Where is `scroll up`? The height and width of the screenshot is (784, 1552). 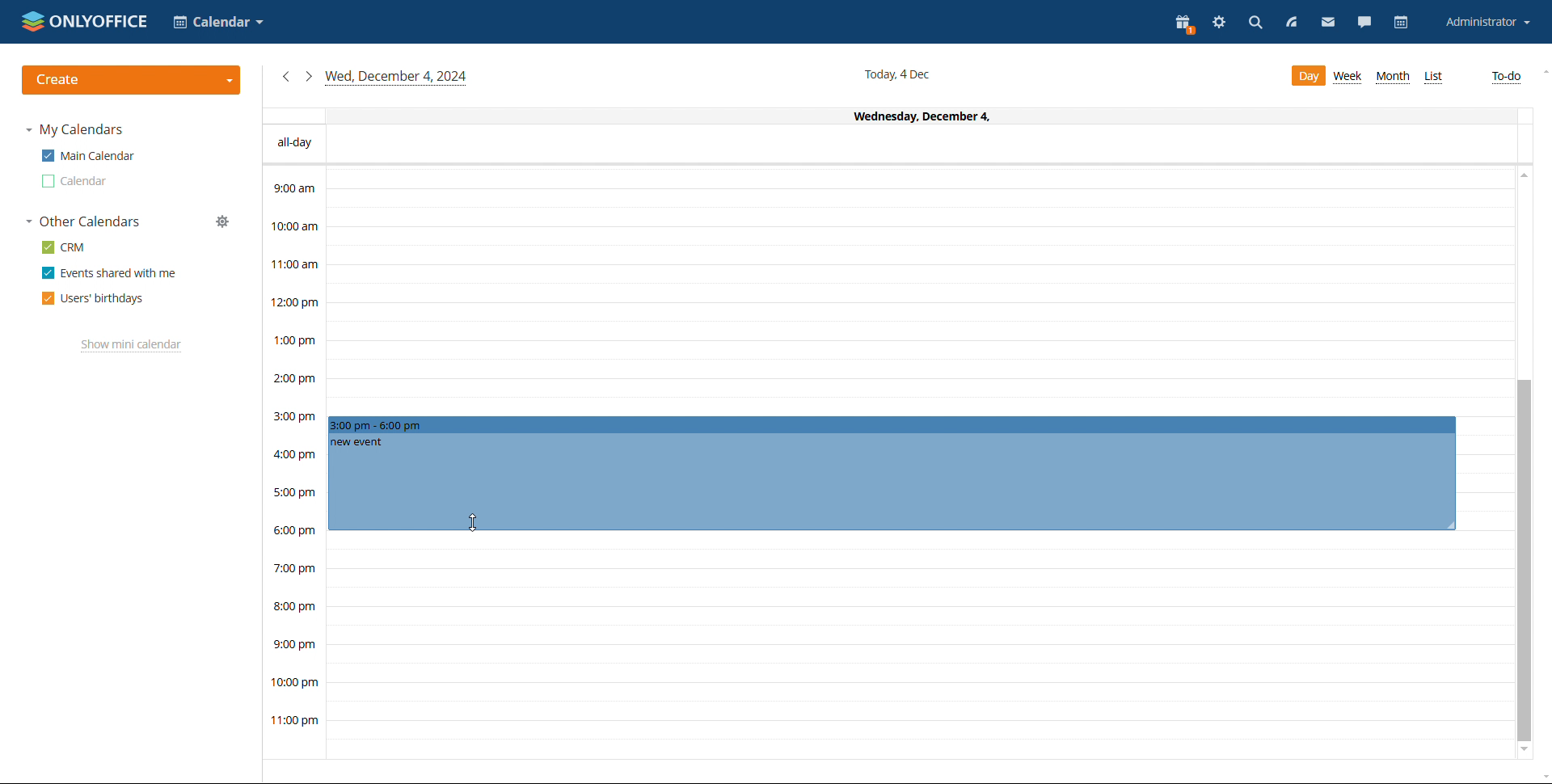 scroll up is located at coordinates (1522, 178).